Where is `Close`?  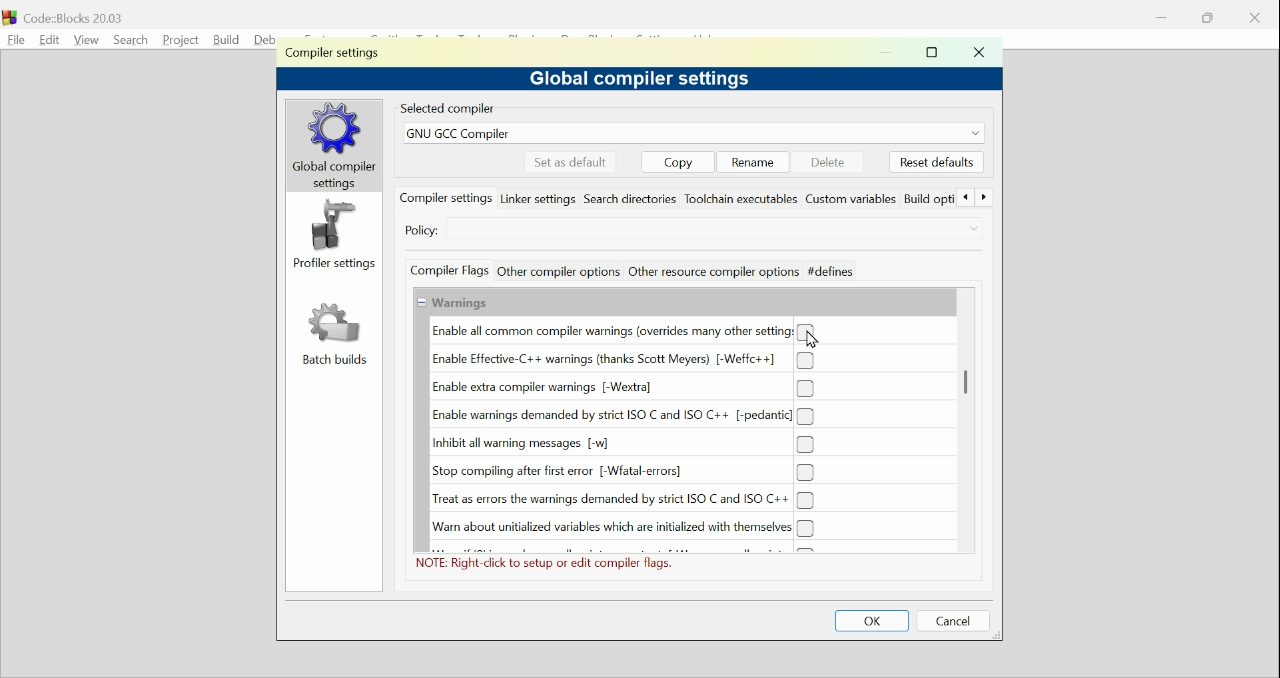
Close is located at coordinates (977, 53).